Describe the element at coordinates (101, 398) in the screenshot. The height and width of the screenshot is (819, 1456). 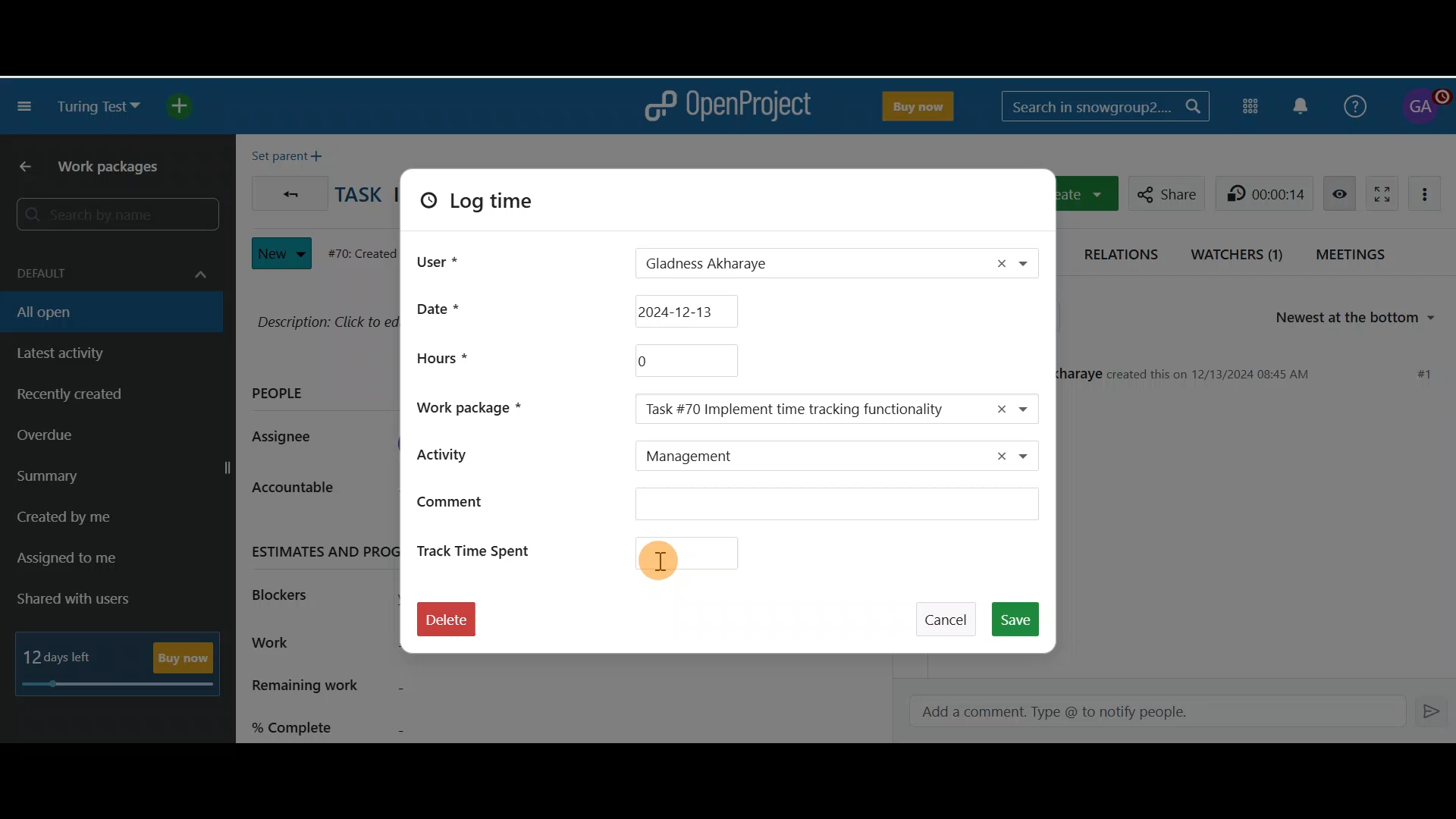
I see `Recently created` at that location.